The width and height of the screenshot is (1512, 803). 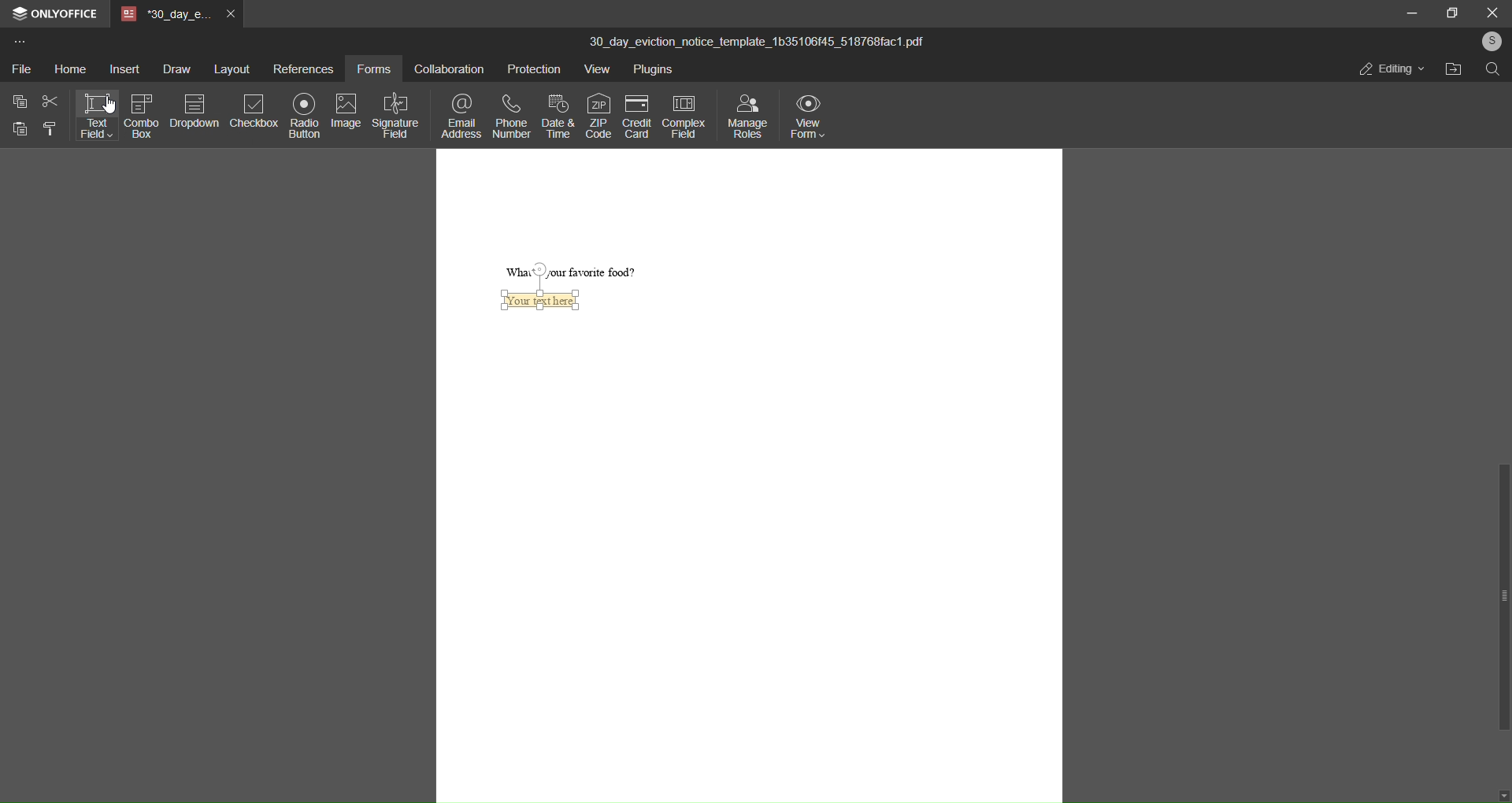 What do you see at coordinates (346, 110) in the screenshot?
I see `image` at bounding box center [346, 110].